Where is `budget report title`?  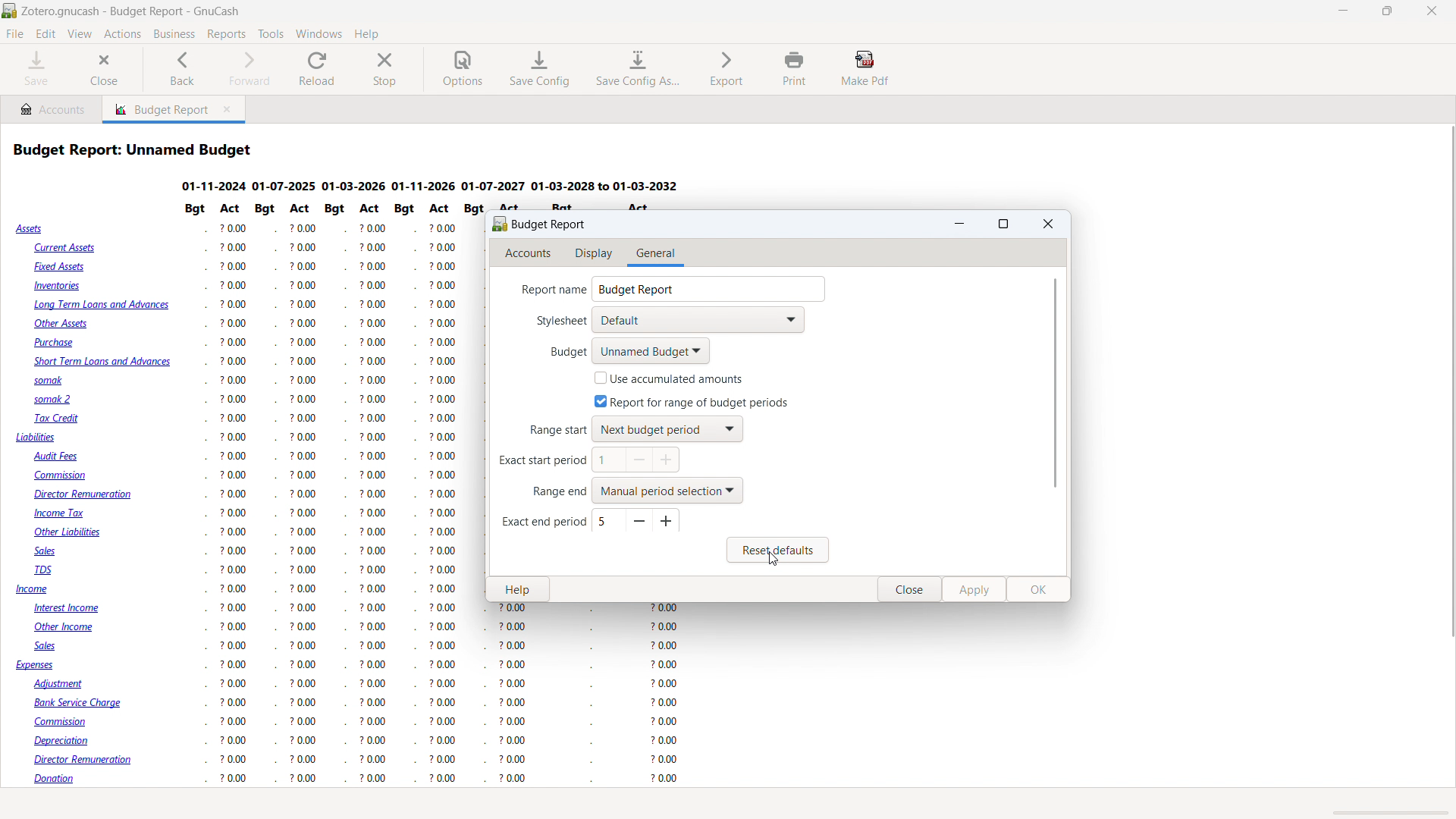 budget report title is located at coordinates (135, 149).